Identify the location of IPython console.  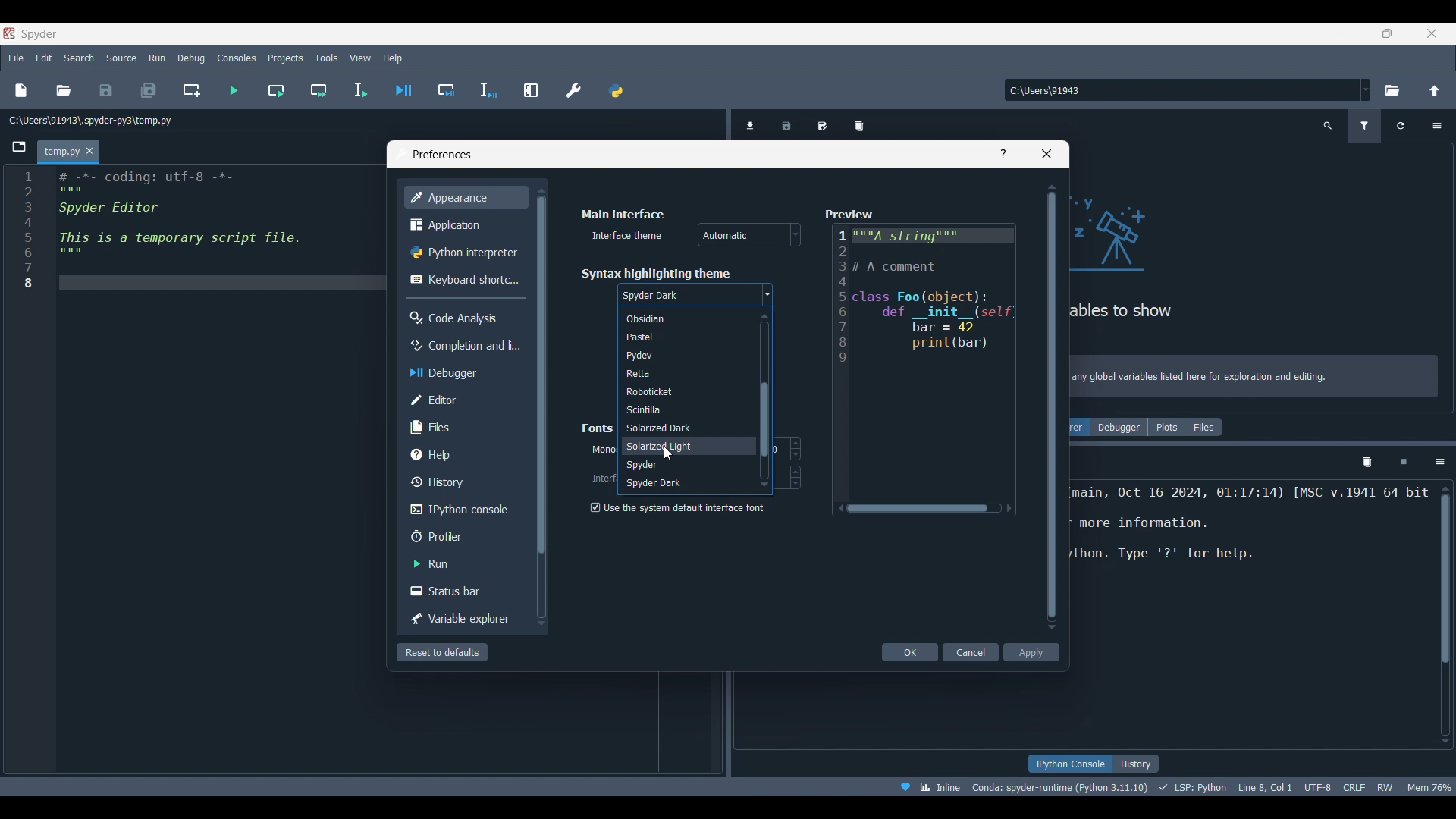
(463, 510).